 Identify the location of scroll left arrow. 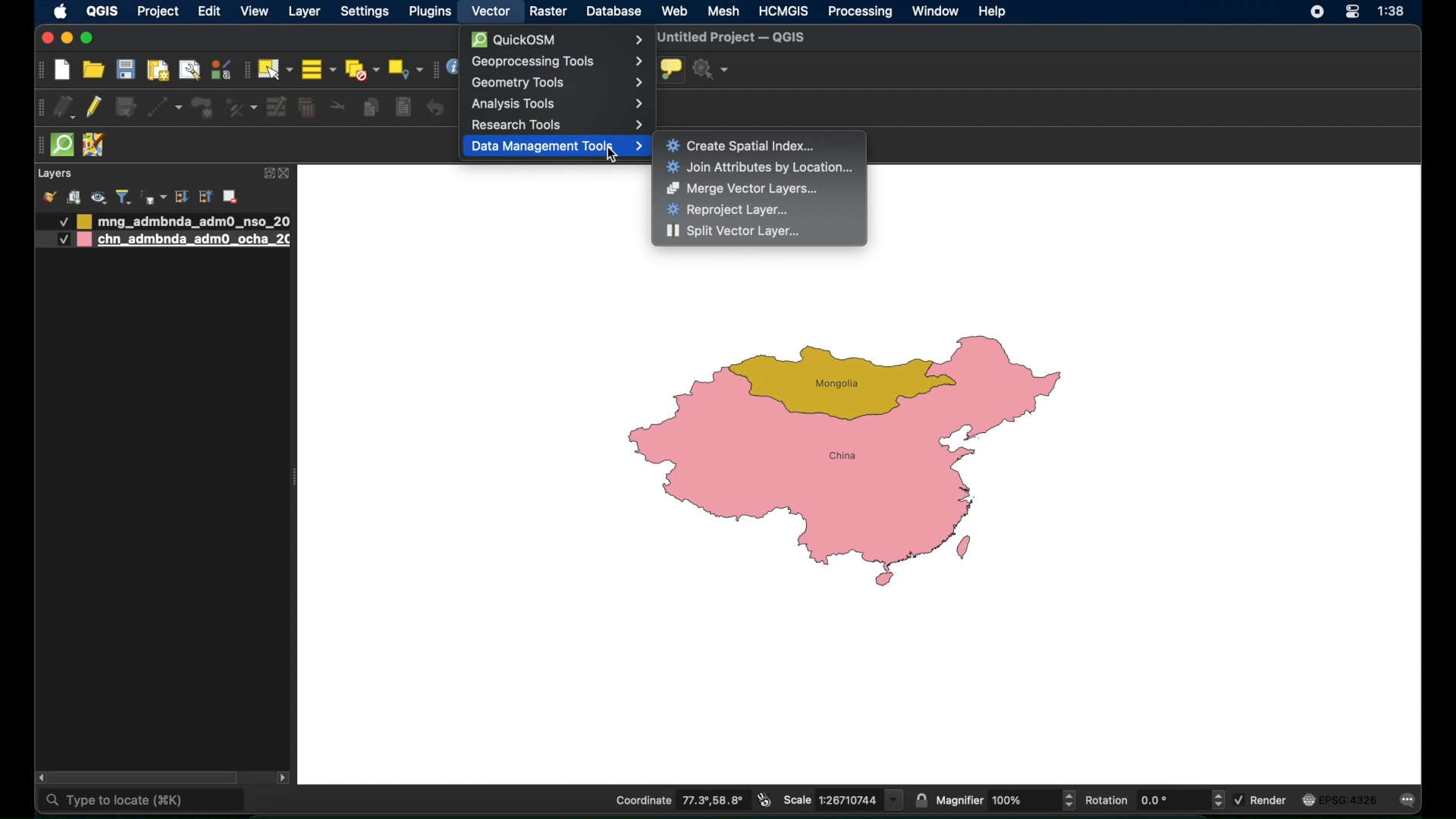
(40, 777).